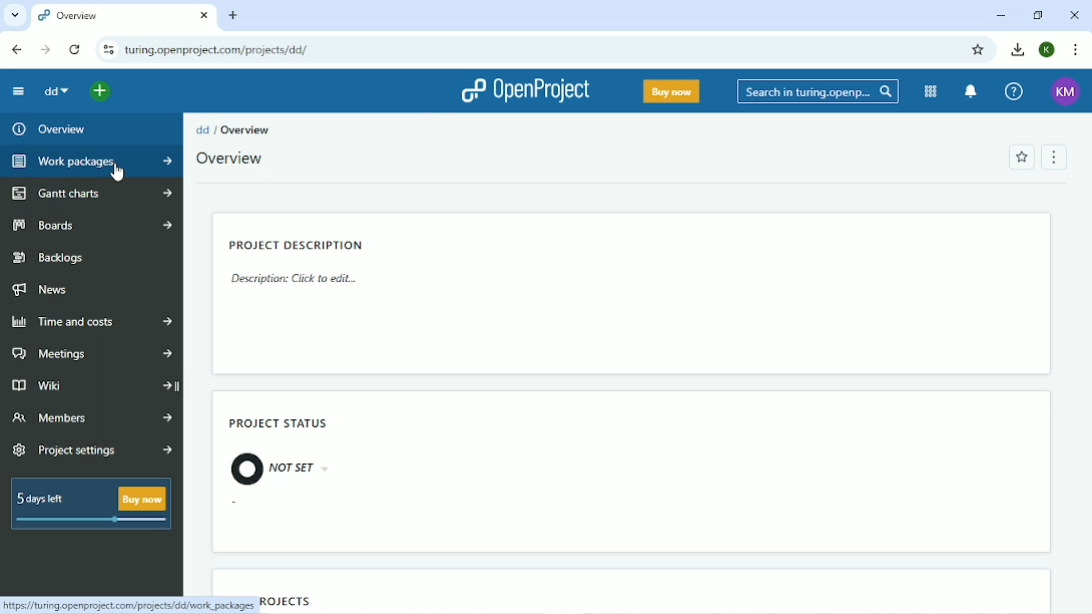 The width and height of the screenshot is (1092, 614). Describe the element at coordinates (1001, 16) in the screenshot. I see `Minimize` at that location.